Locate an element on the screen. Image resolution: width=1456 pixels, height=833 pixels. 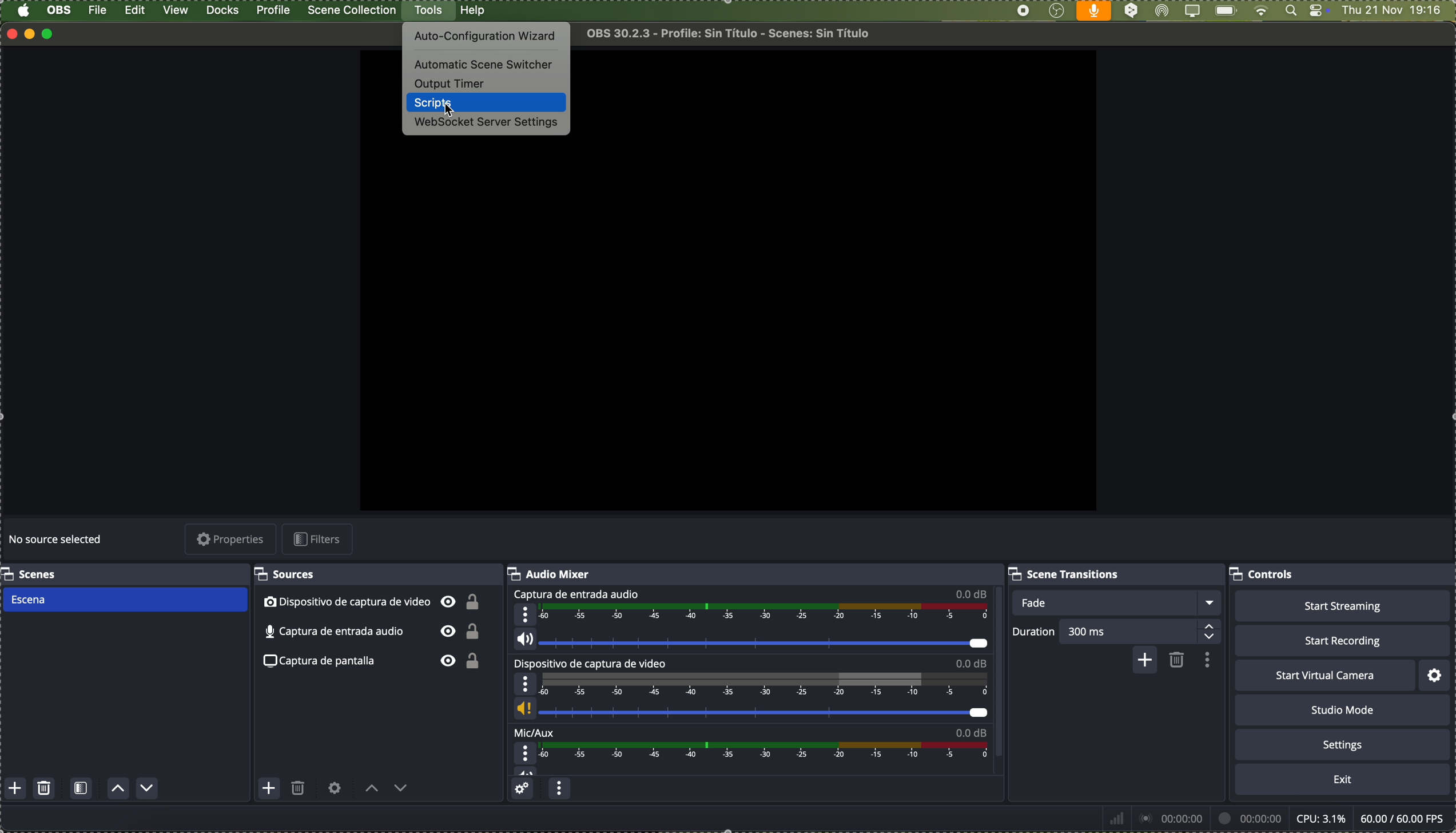
view is located at coordinates (177, 10).